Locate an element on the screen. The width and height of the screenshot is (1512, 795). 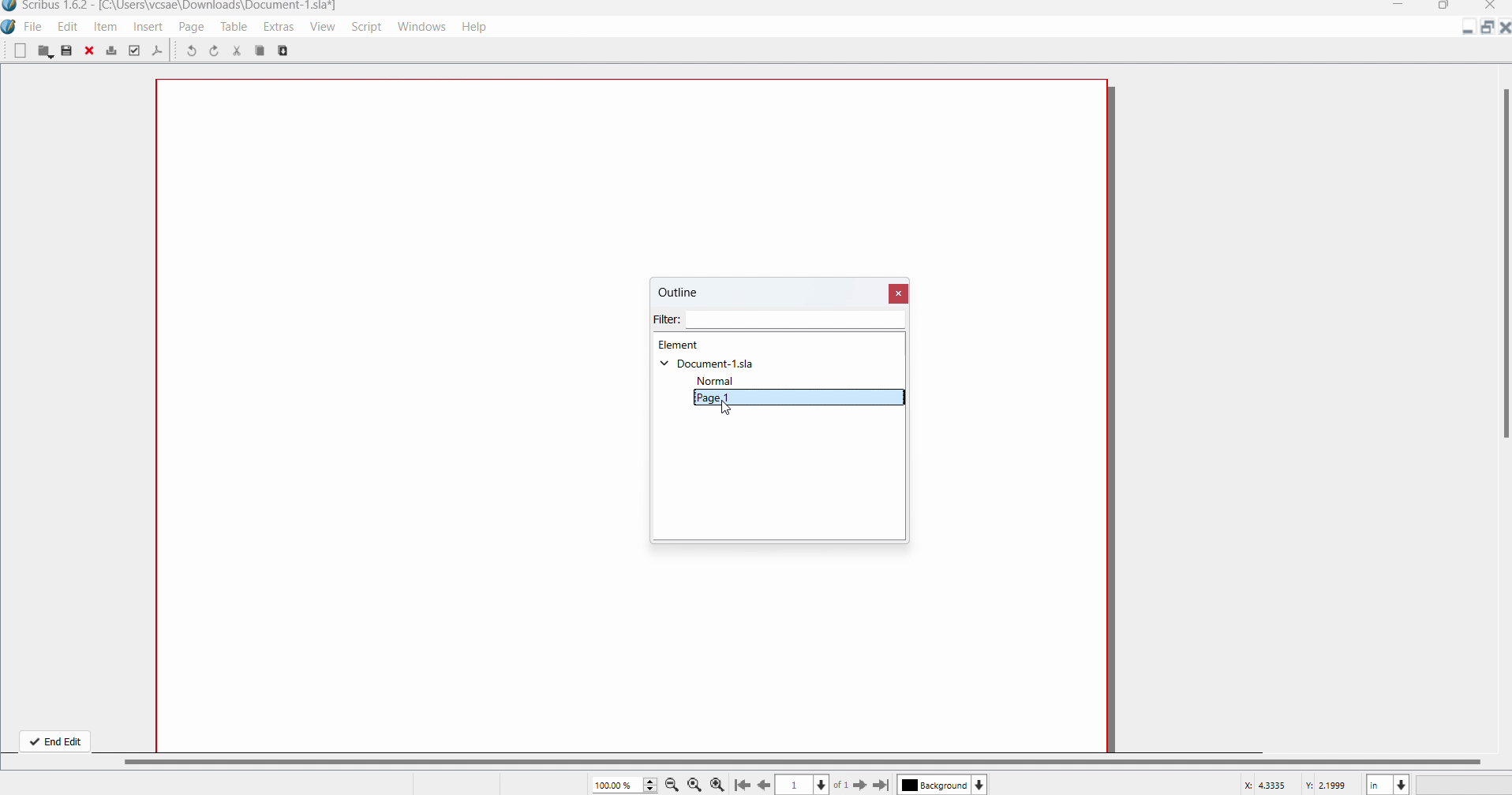
 is located at coordinates (159, 51).